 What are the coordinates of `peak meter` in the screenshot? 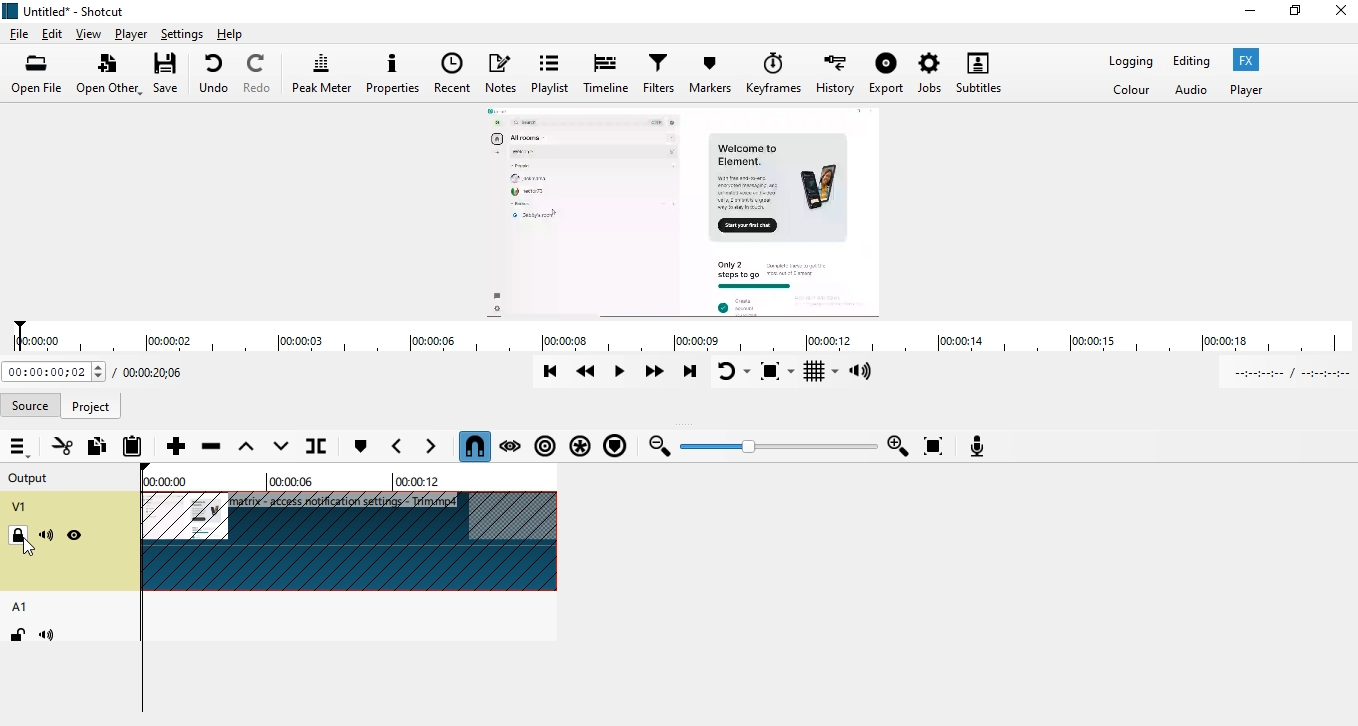 It's located at (321, 71).